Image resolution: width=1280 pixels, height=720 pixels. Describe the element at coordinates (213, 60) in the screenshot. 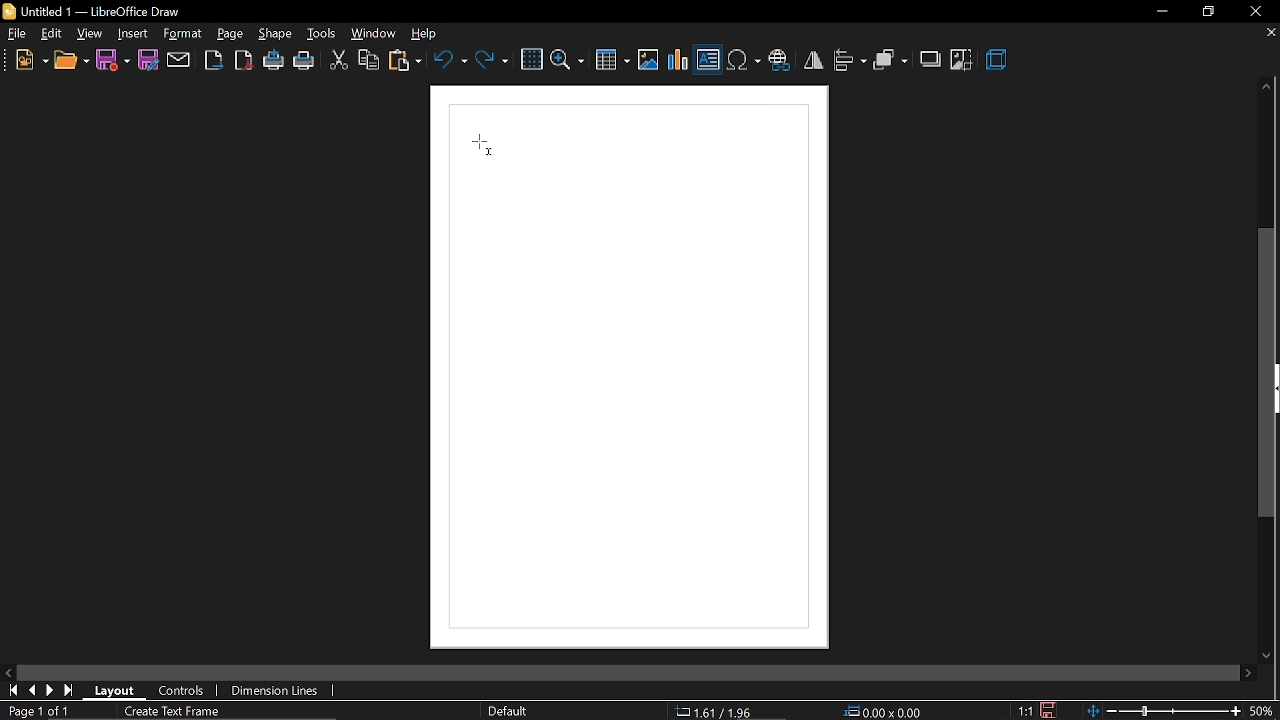

I see `export` at that location.